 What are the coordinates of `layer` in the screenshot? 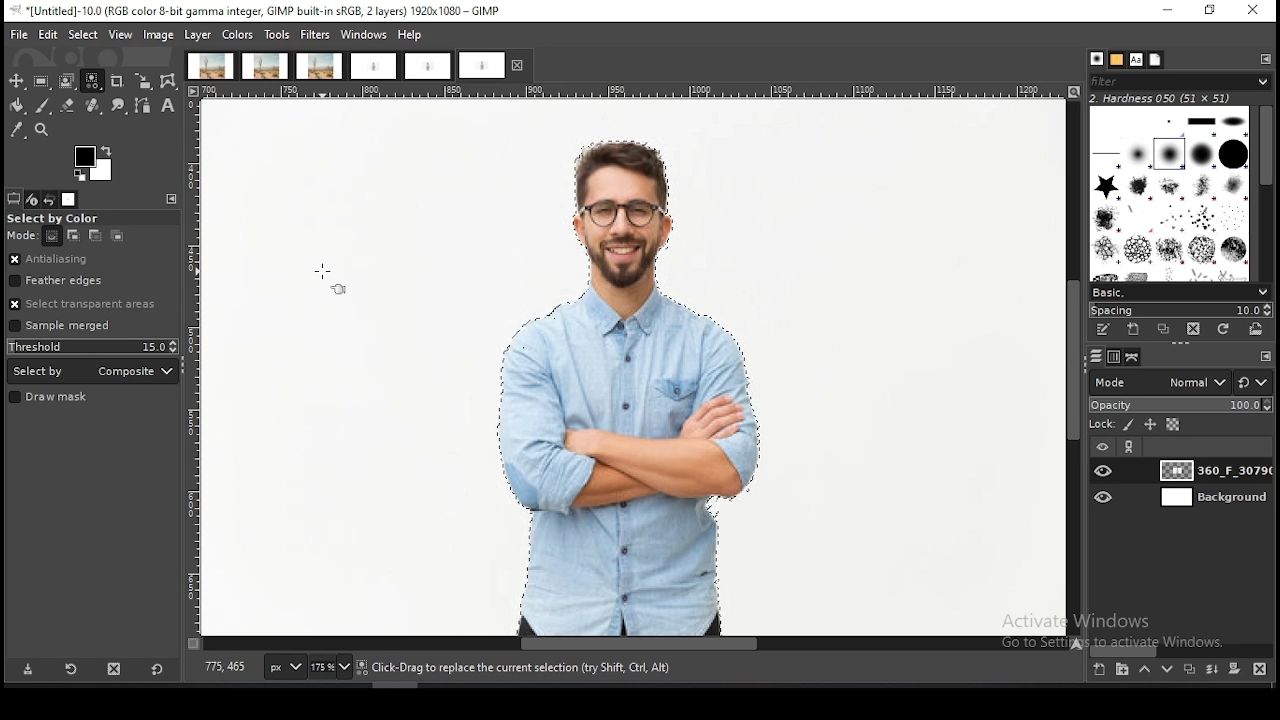 It's located at (198, 35).